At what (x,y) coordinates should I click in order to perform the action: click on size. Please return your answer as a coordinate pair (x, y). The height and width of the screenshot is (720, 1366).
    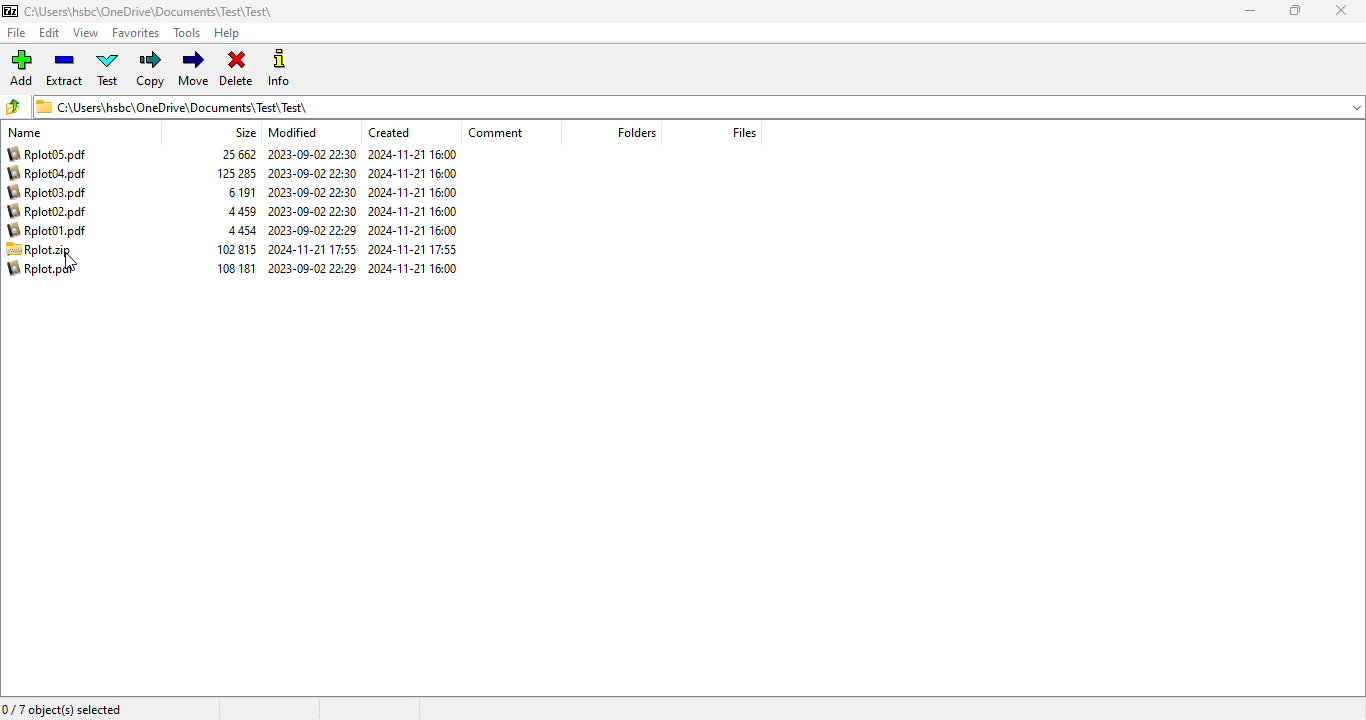
    Looking at the image, I should click on (247, 134).